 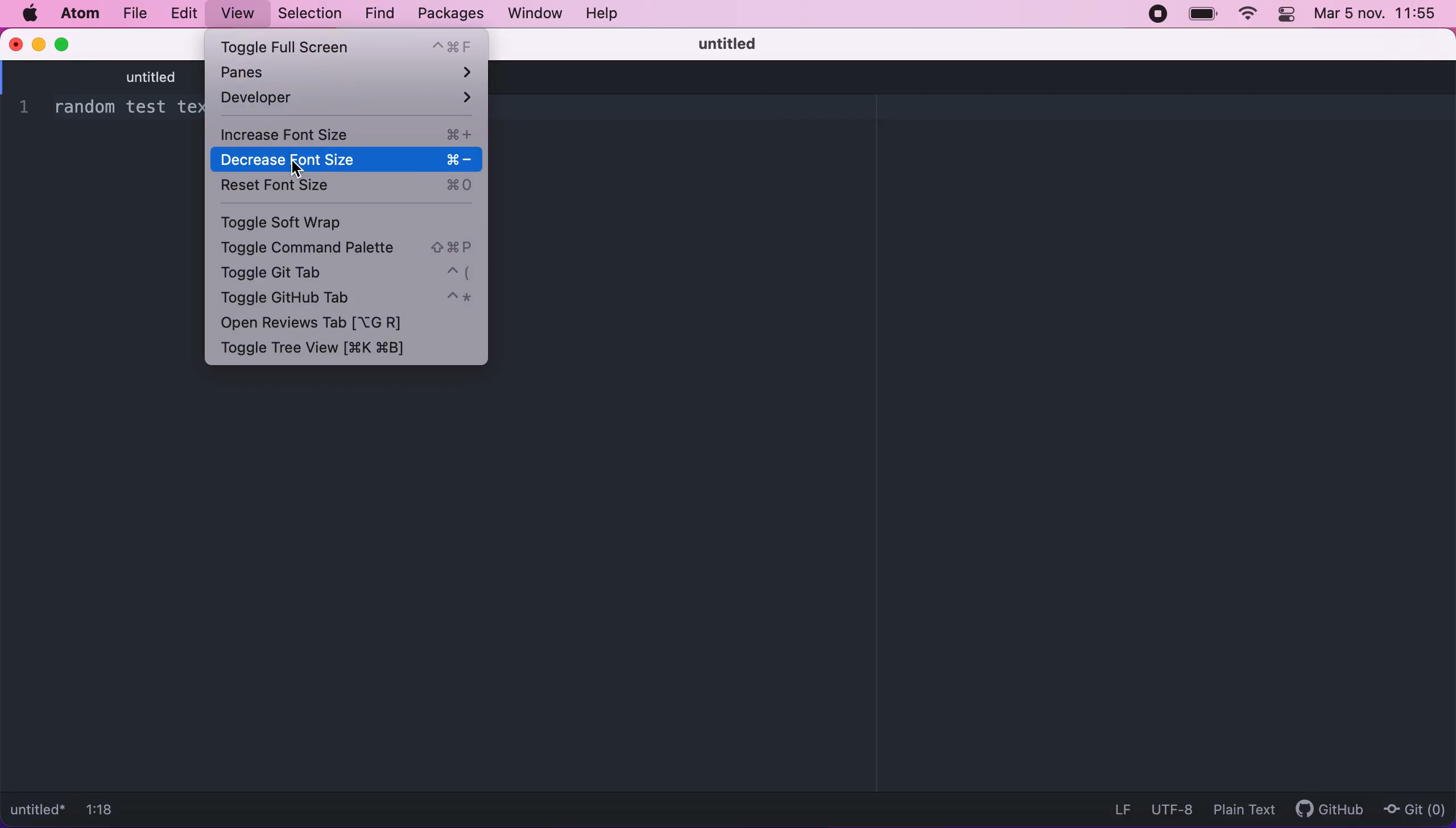 What do you see at coordinates (345, 133) in the screenshot?
I see `increase font size` at bounding box center [345, 133].